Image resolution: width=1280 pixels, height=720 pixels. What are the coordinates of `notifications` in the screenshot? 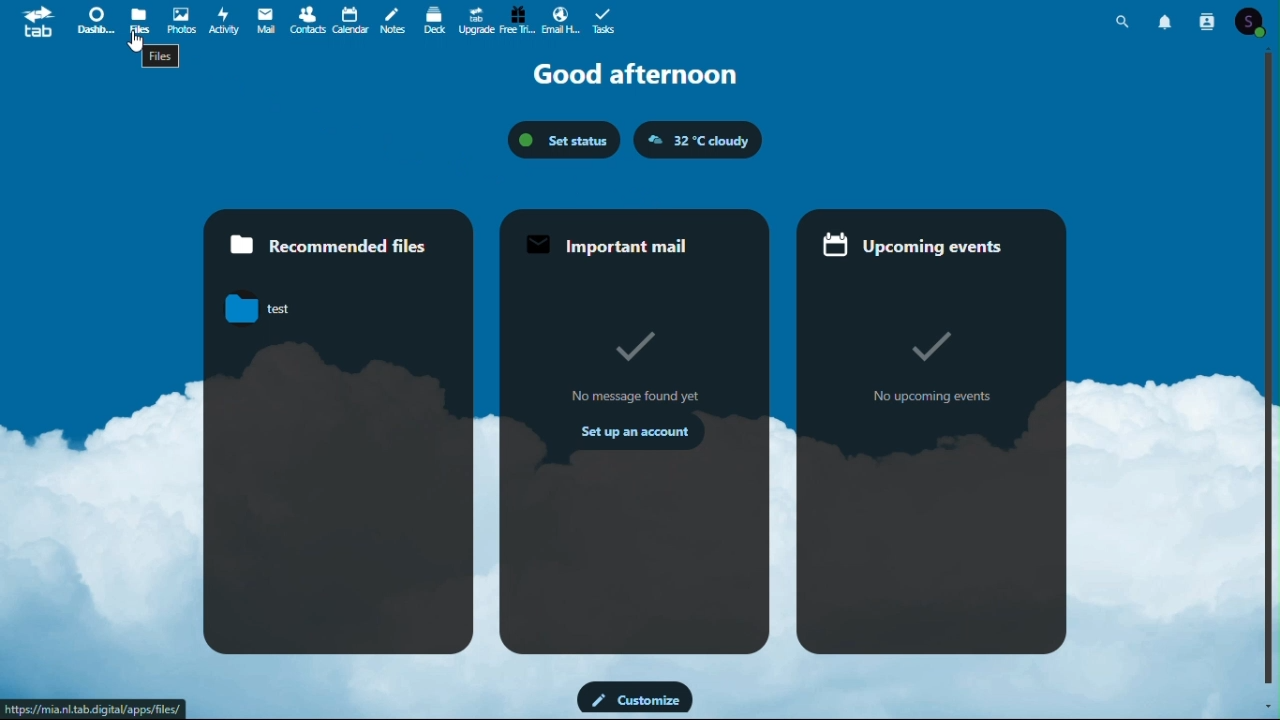 It's located at (1167, 22).